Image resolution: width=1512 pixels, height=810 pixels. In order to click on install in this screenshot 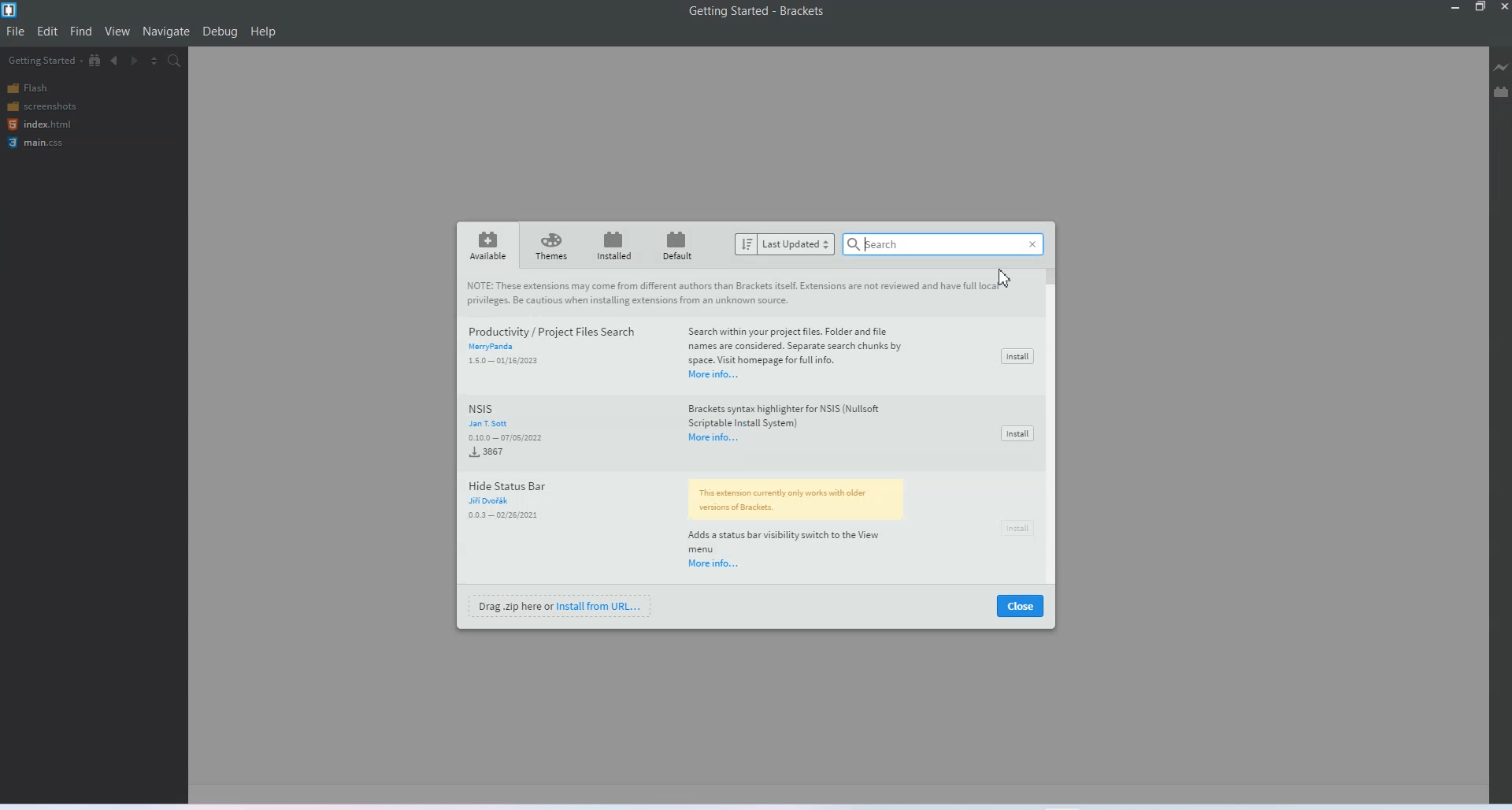, I will do `click(1017, 356)`.